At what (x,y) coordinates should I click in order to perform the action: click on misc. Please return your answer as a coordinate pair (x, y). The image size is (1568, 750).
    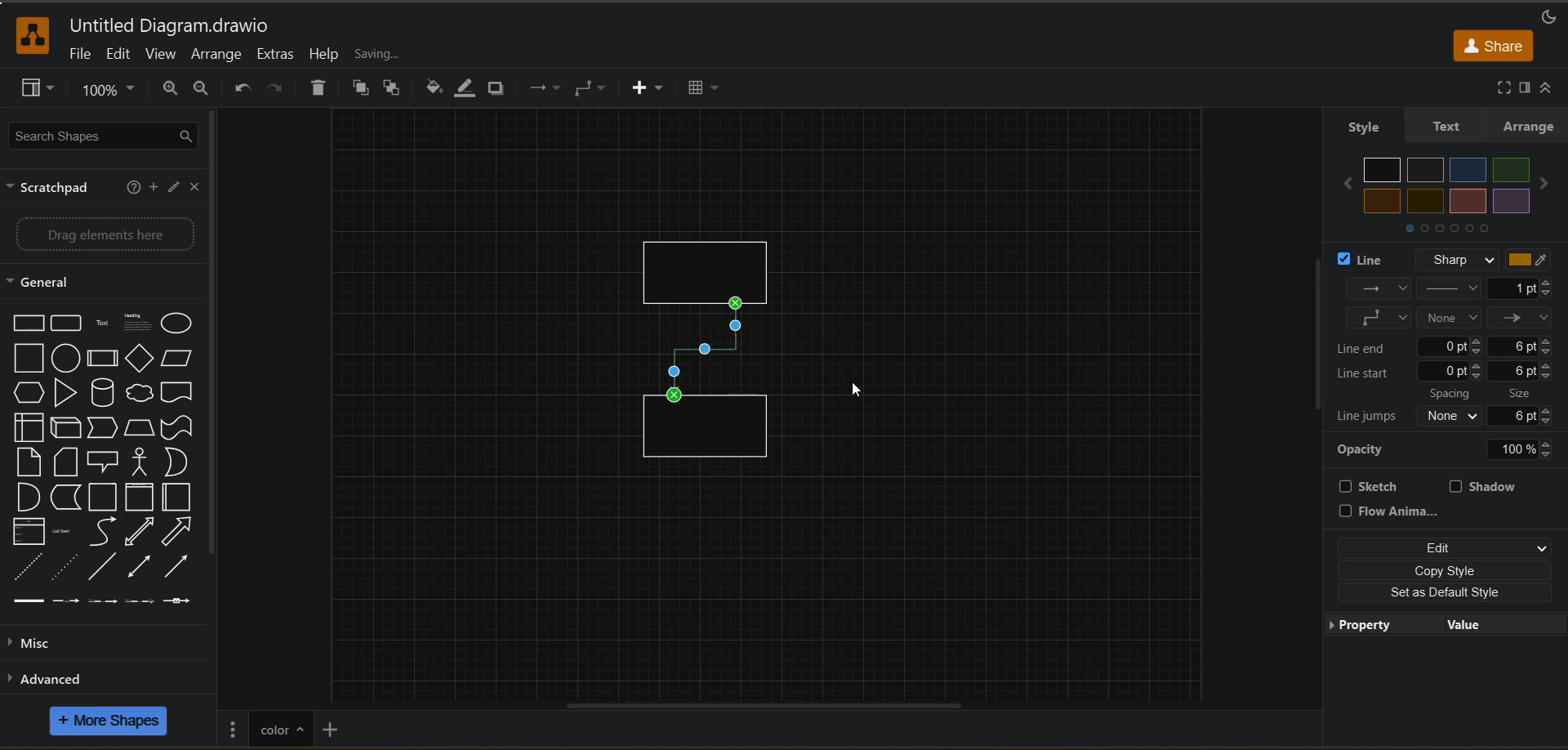
    Looking at the image, I should click on (36, 644).